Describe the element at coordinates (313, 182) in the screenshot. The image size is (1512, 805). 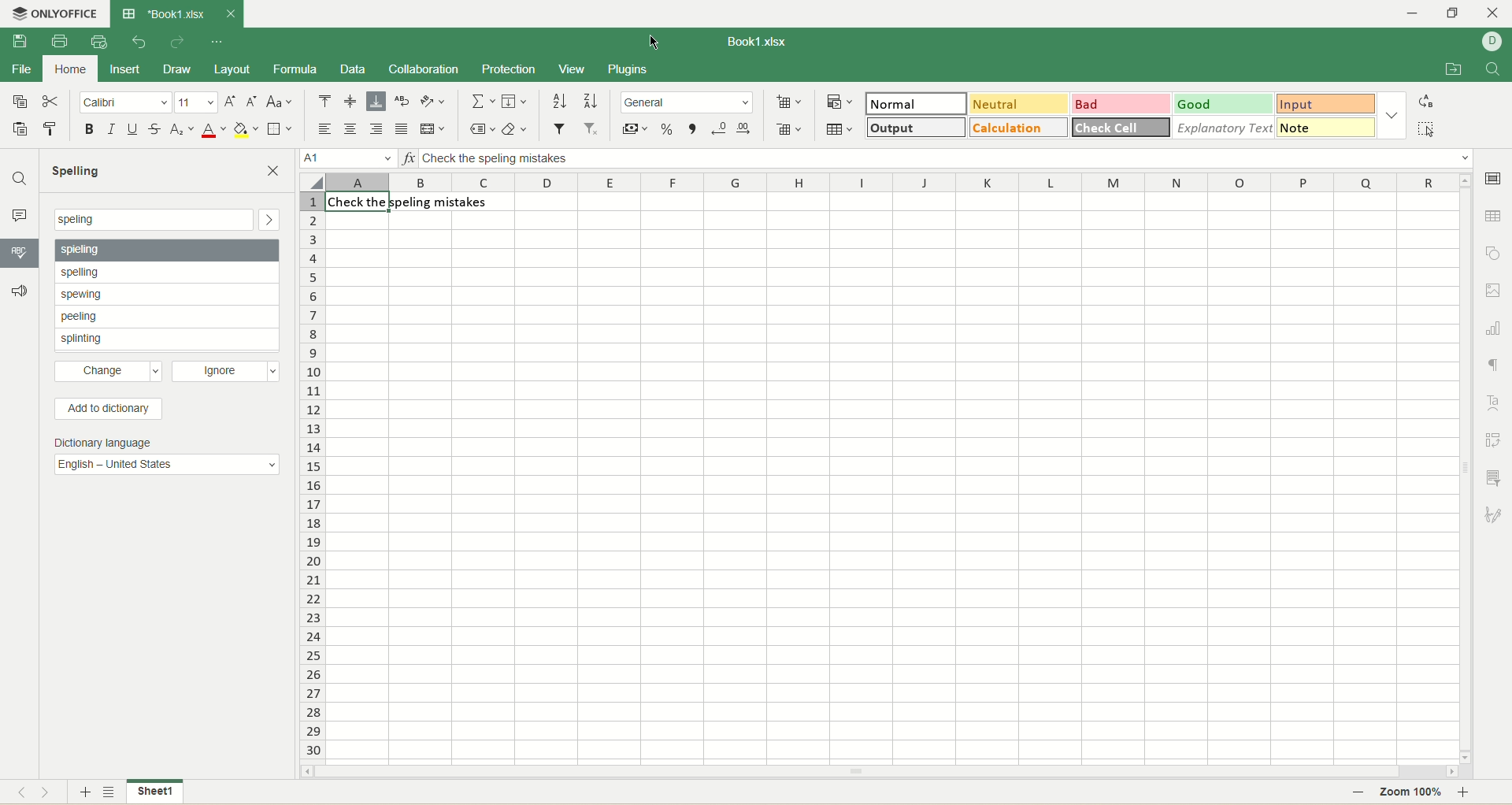
I see `select all` at that location.